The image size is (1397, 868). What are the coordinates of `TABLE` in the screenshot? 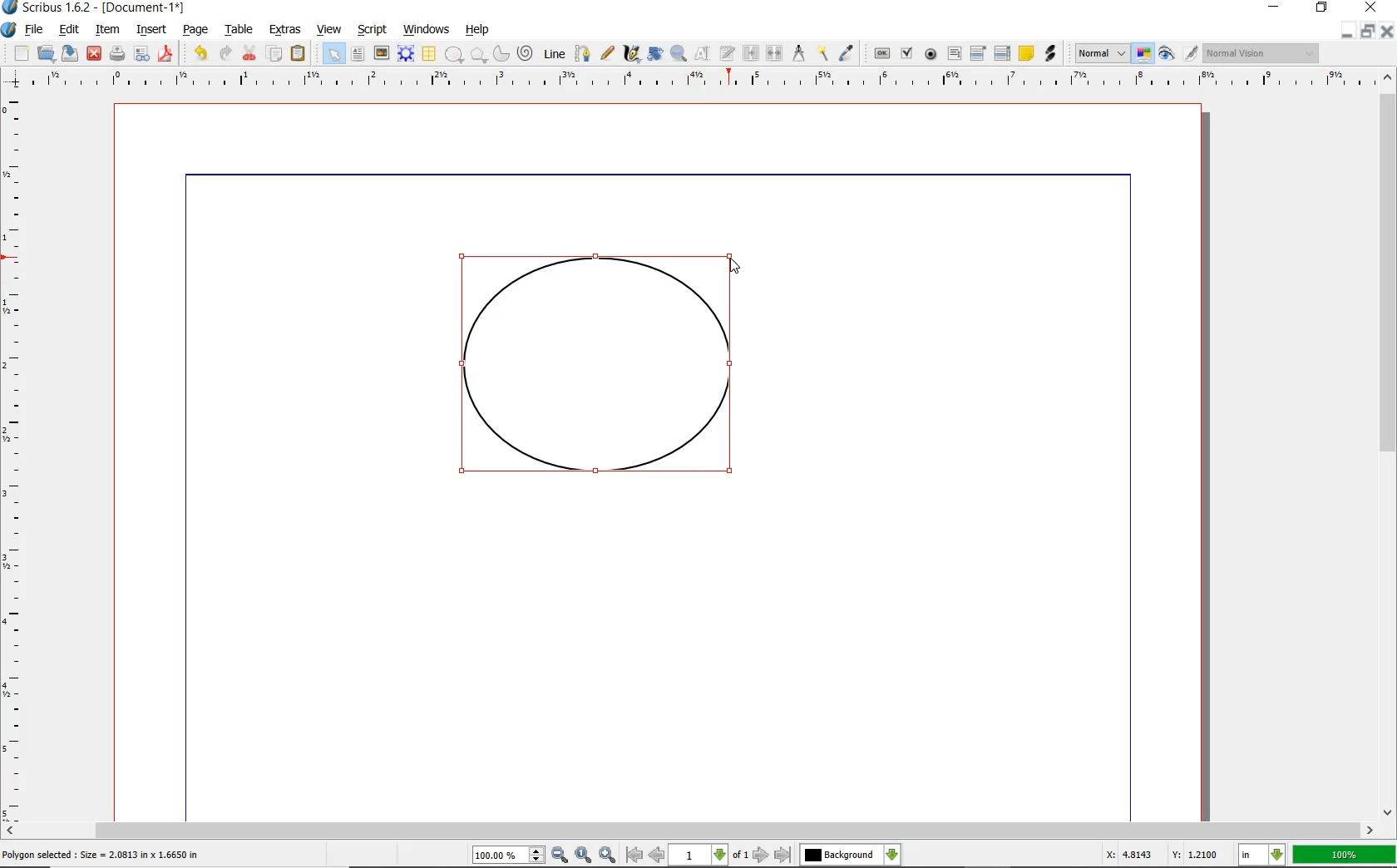 It's located at (239, 30).